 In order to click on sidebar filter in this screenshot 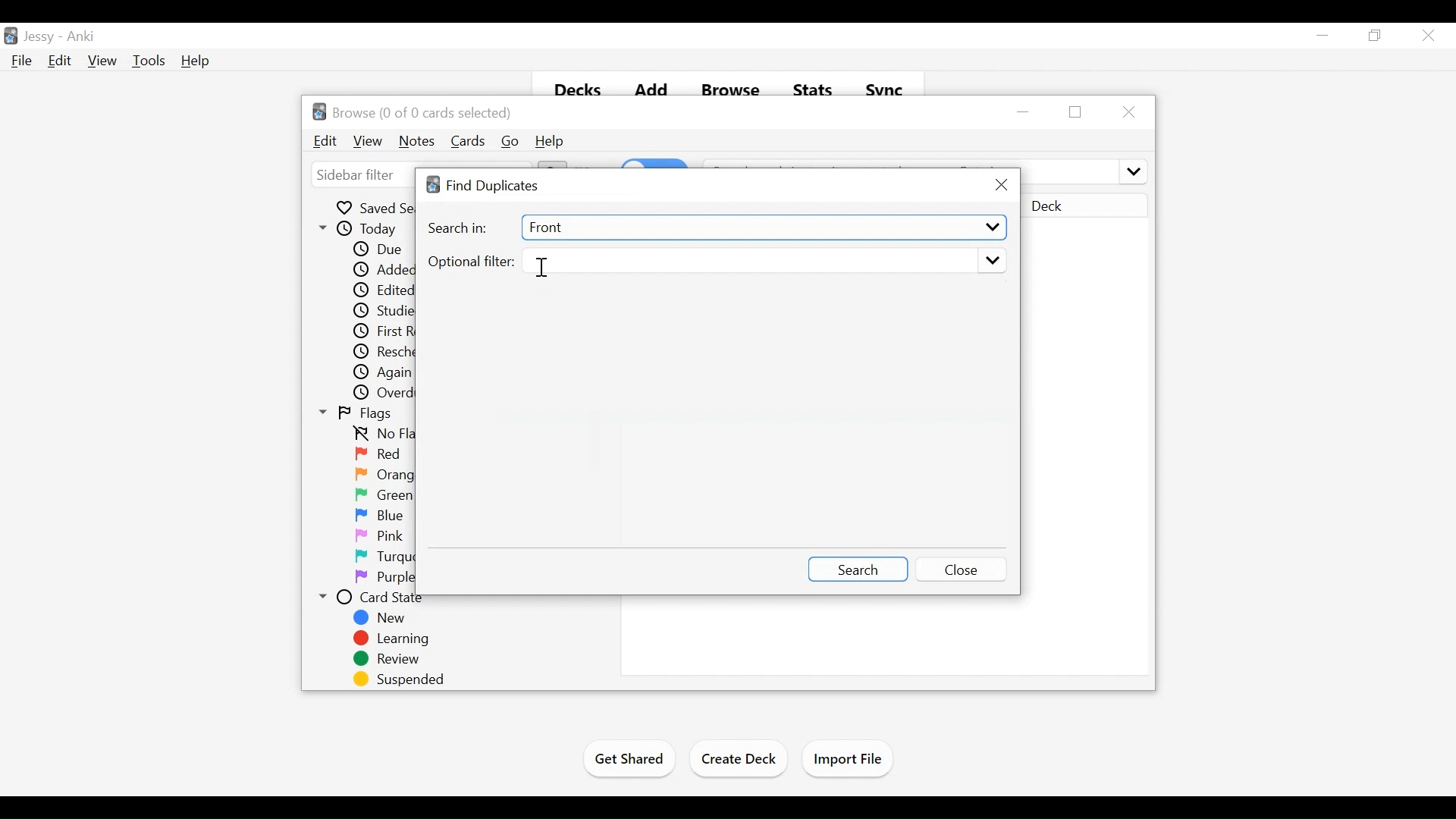, I will do `click(357, 176)`.